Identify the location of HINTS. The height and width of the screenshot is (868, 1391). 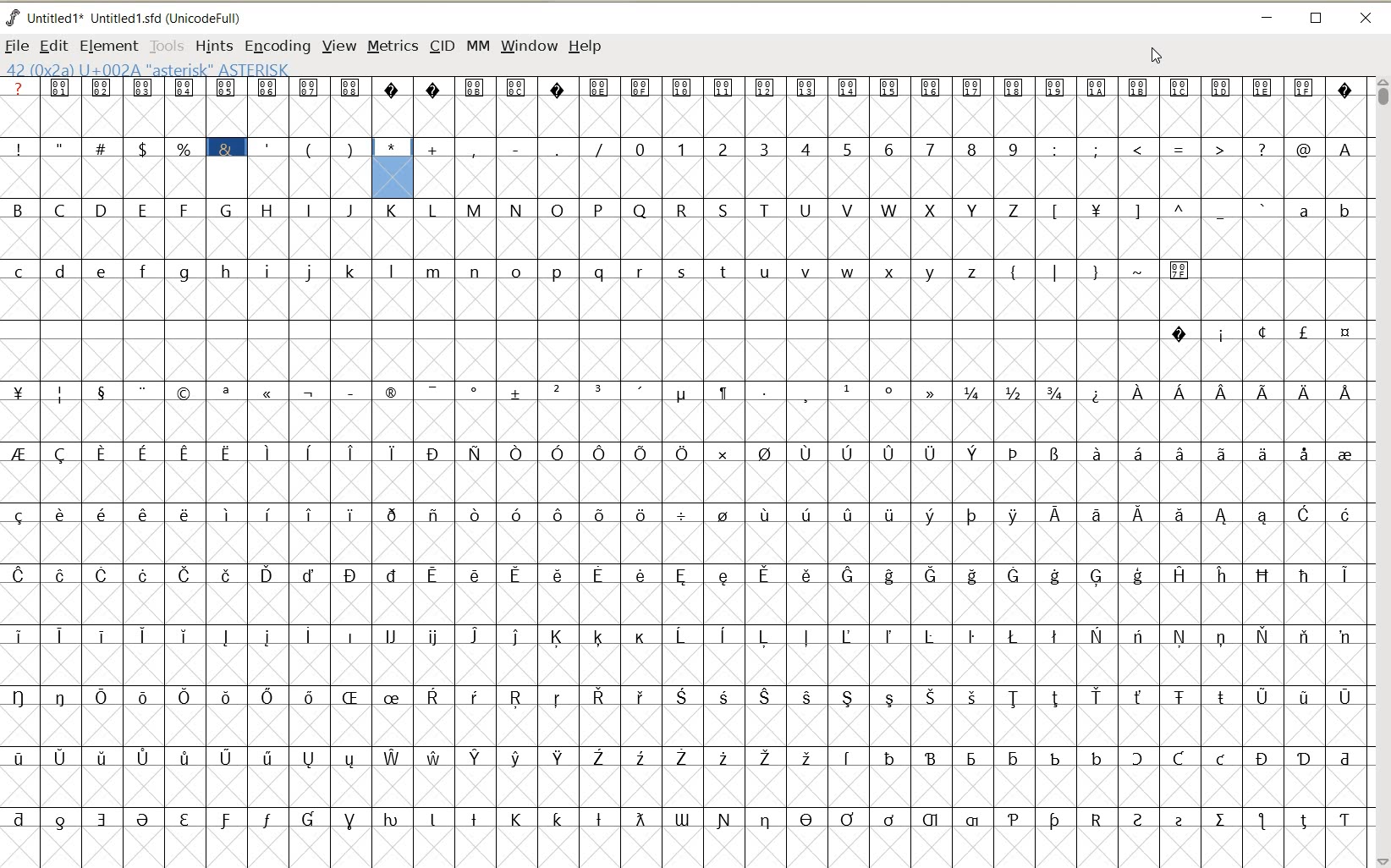
(213, 47).